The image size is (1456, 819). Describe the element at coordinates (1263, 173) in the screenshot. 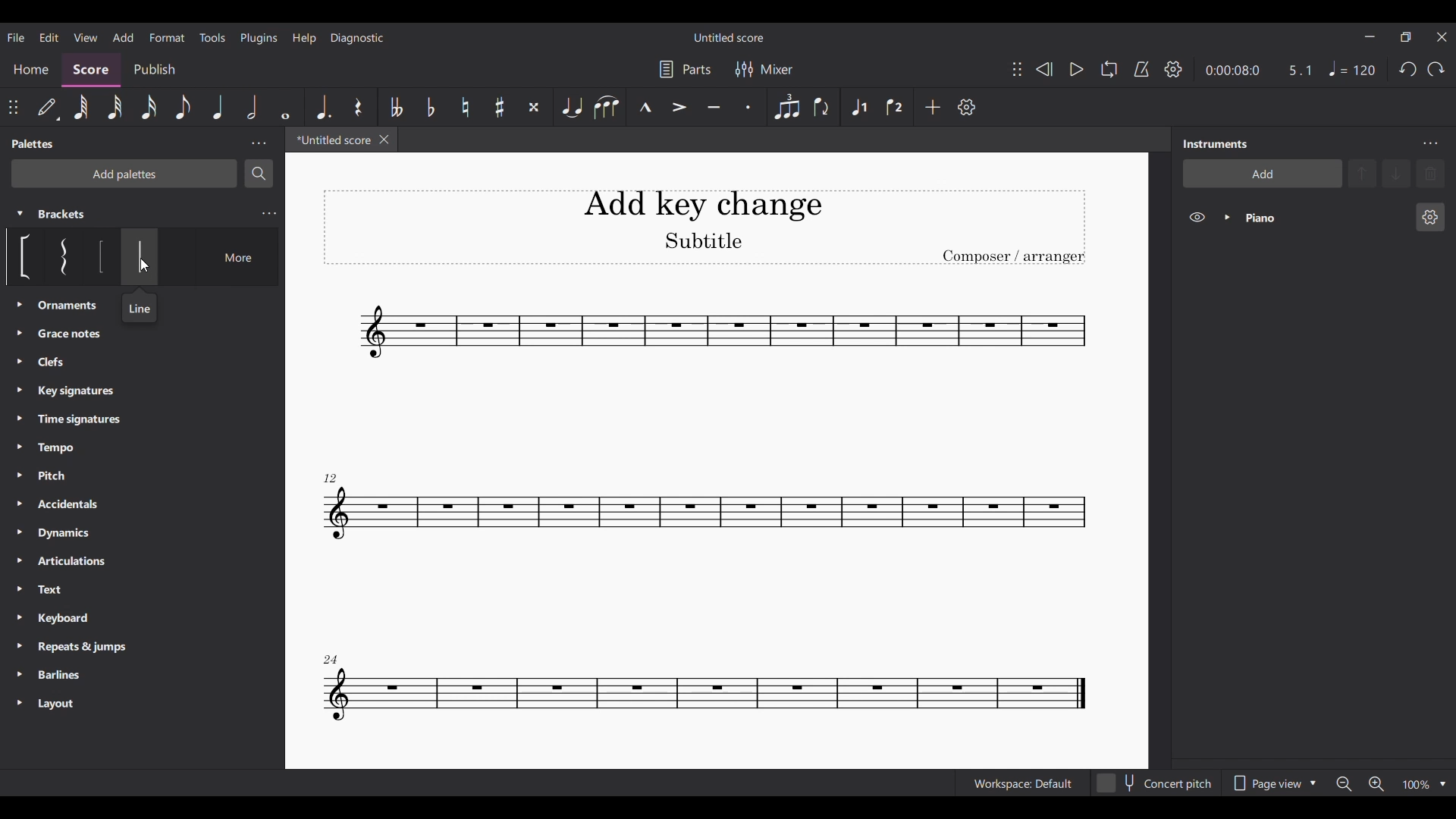

I see `Add instruments` at that location.